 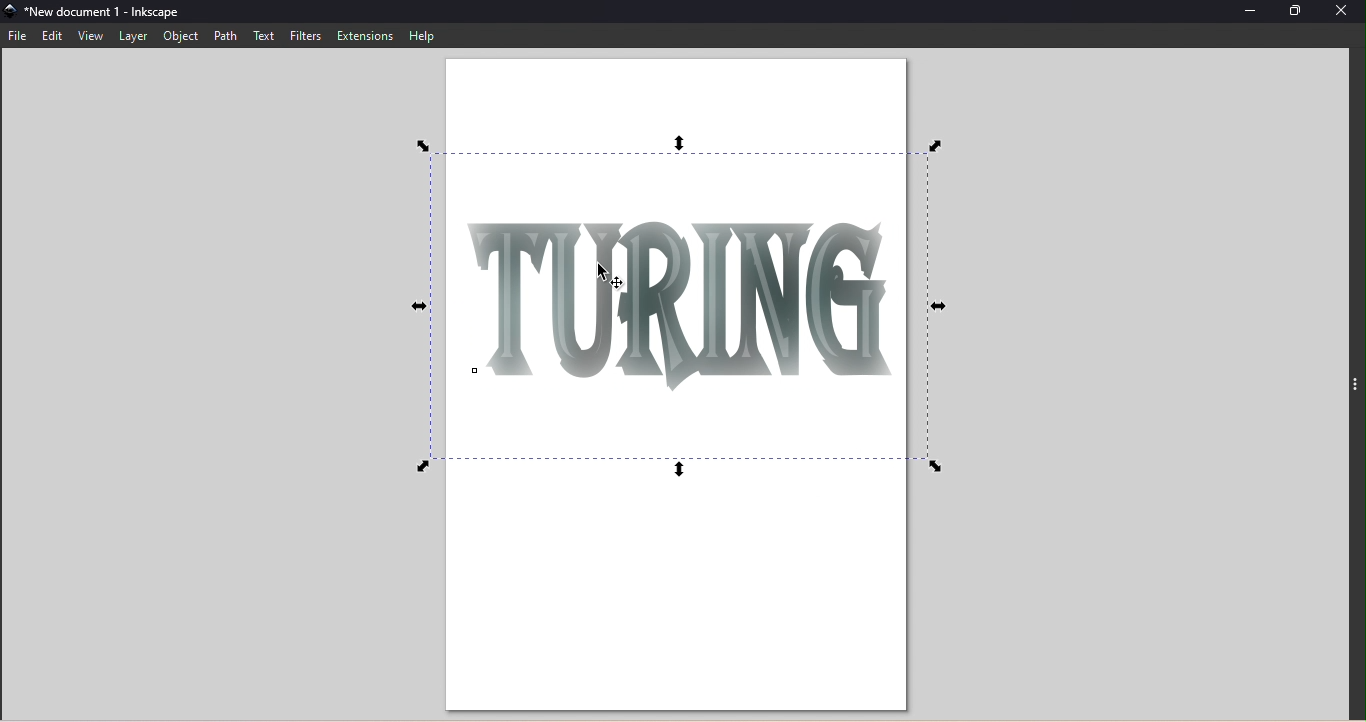 I want to click on Object, so click(x=181, y=36).